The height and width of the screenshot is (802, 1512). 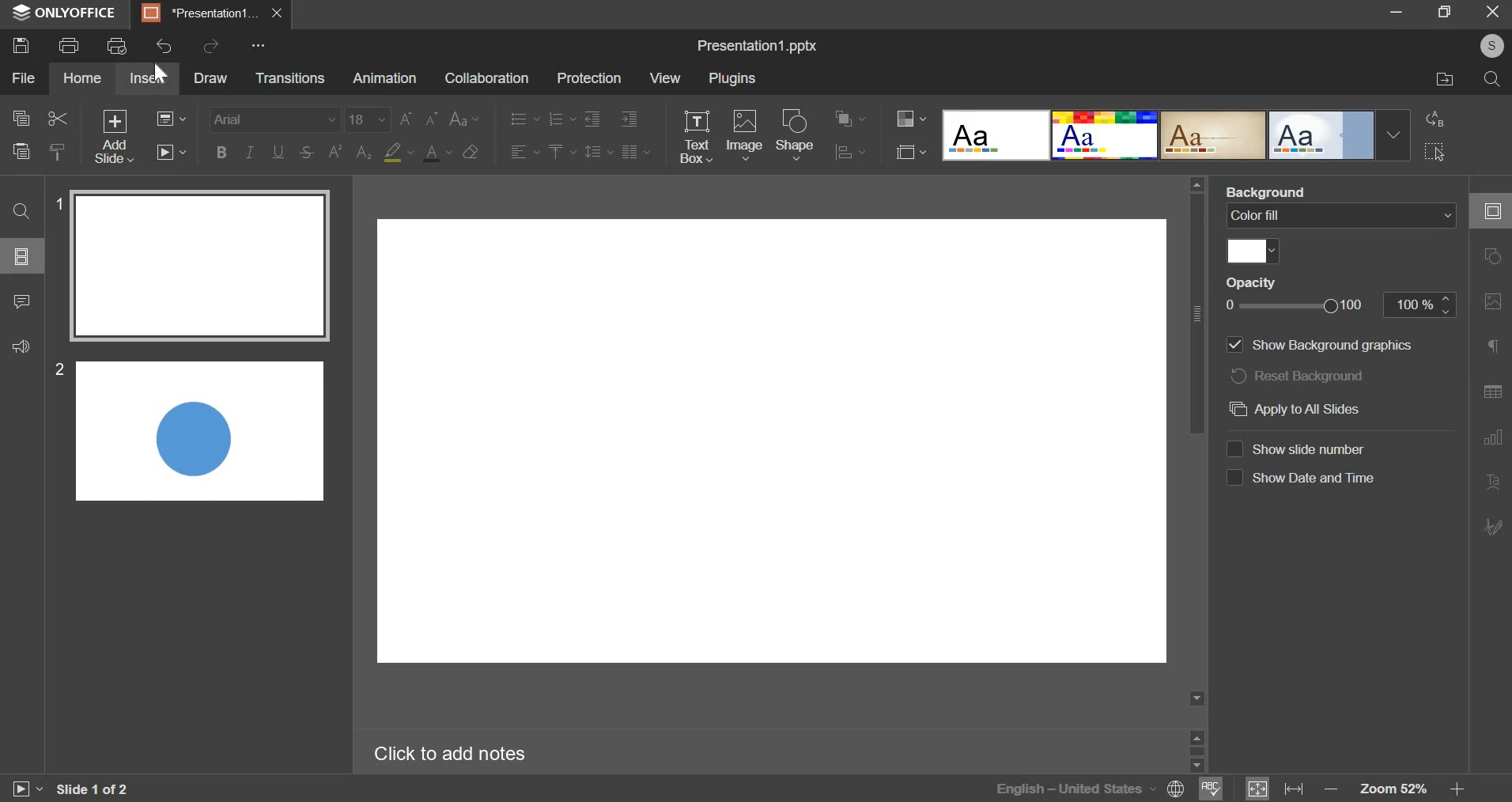 I want to click on erase style, so click(x=471, y=153).